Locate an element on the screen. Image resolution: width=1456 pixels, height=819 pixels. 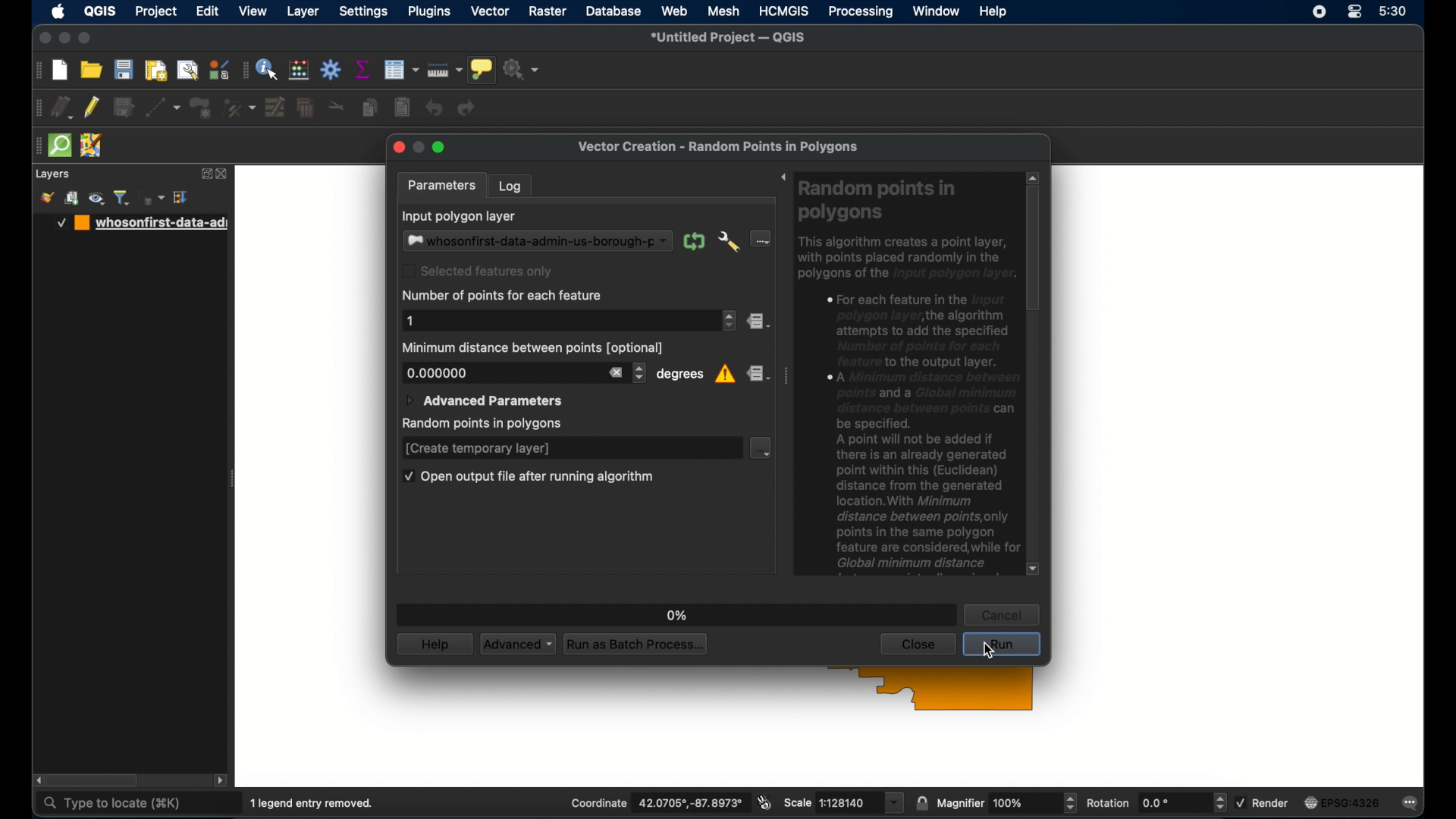
plugins is located at coordinates (429, 12).